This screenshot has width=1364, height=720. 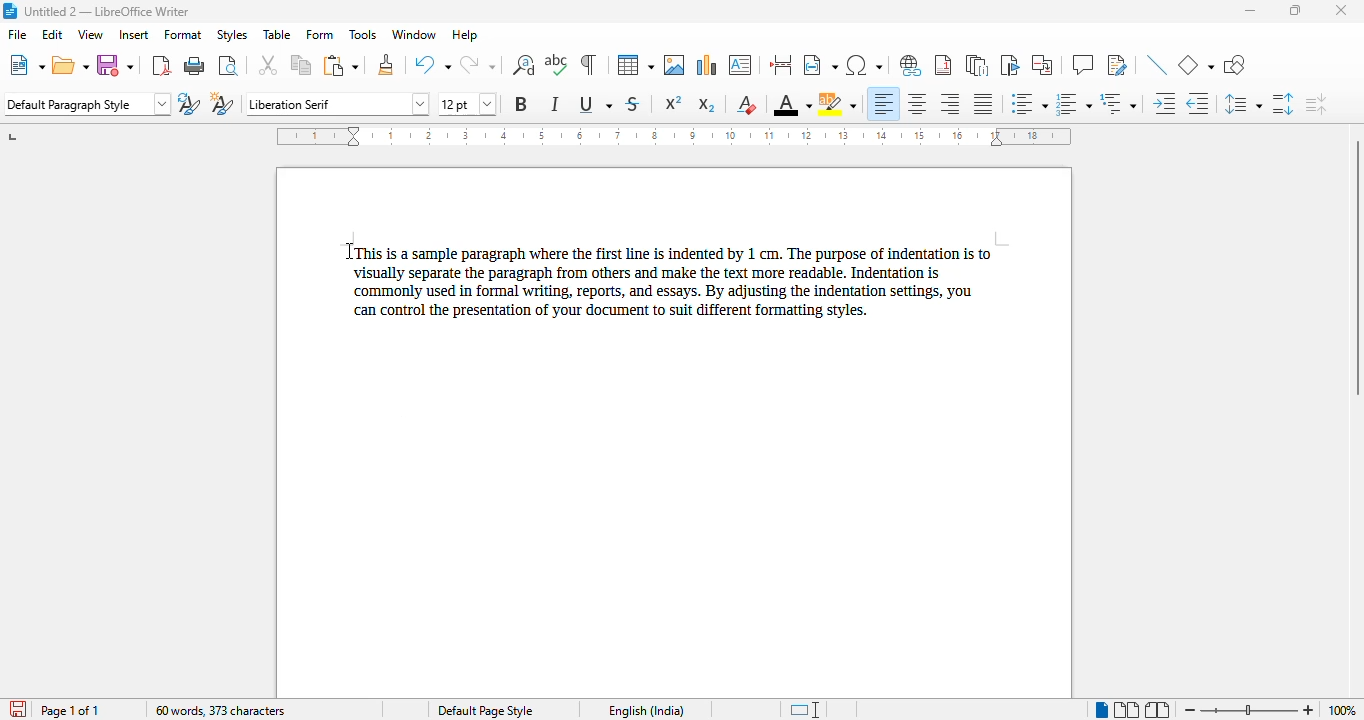 What do you see at coordinates (26, 64) in the screenshot?
I see `new` at bounding box center [26, 64].